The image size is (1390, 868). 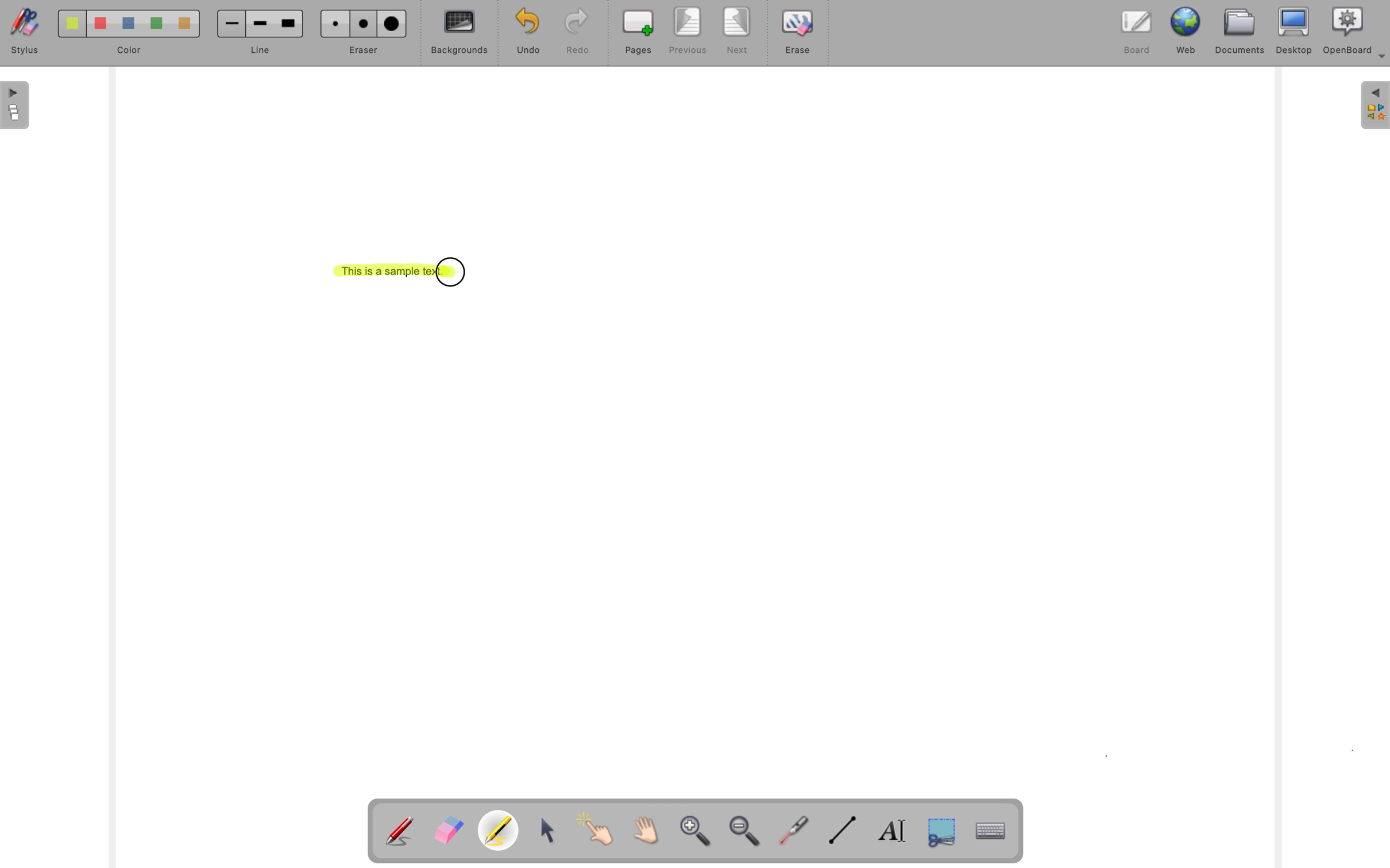 What do you see at coordinates (1187, 32) in the screenshot?
I see `web` at bounding box center [1187, 32].